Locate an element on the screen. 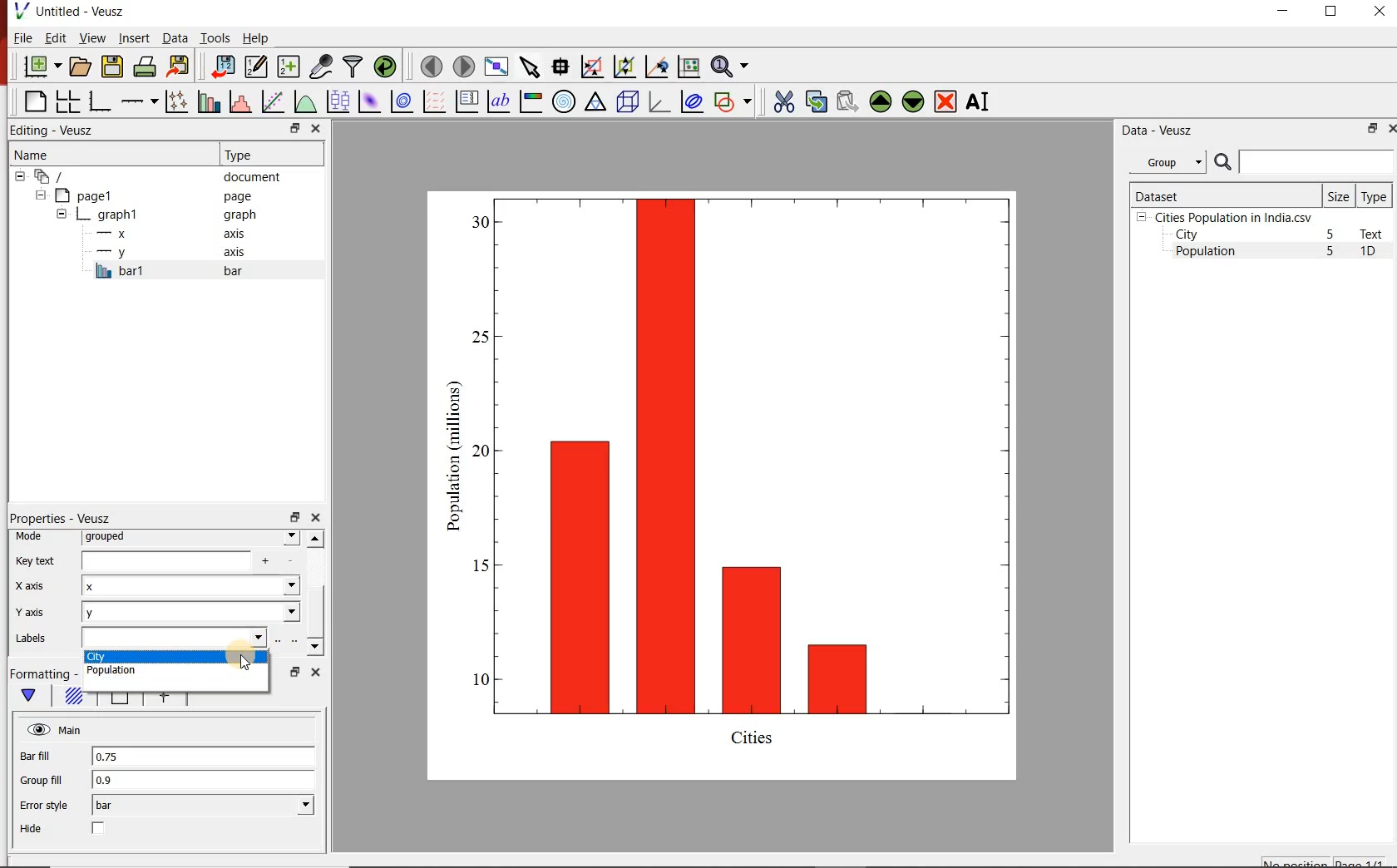  page1 is located at coordinates (149, 195).